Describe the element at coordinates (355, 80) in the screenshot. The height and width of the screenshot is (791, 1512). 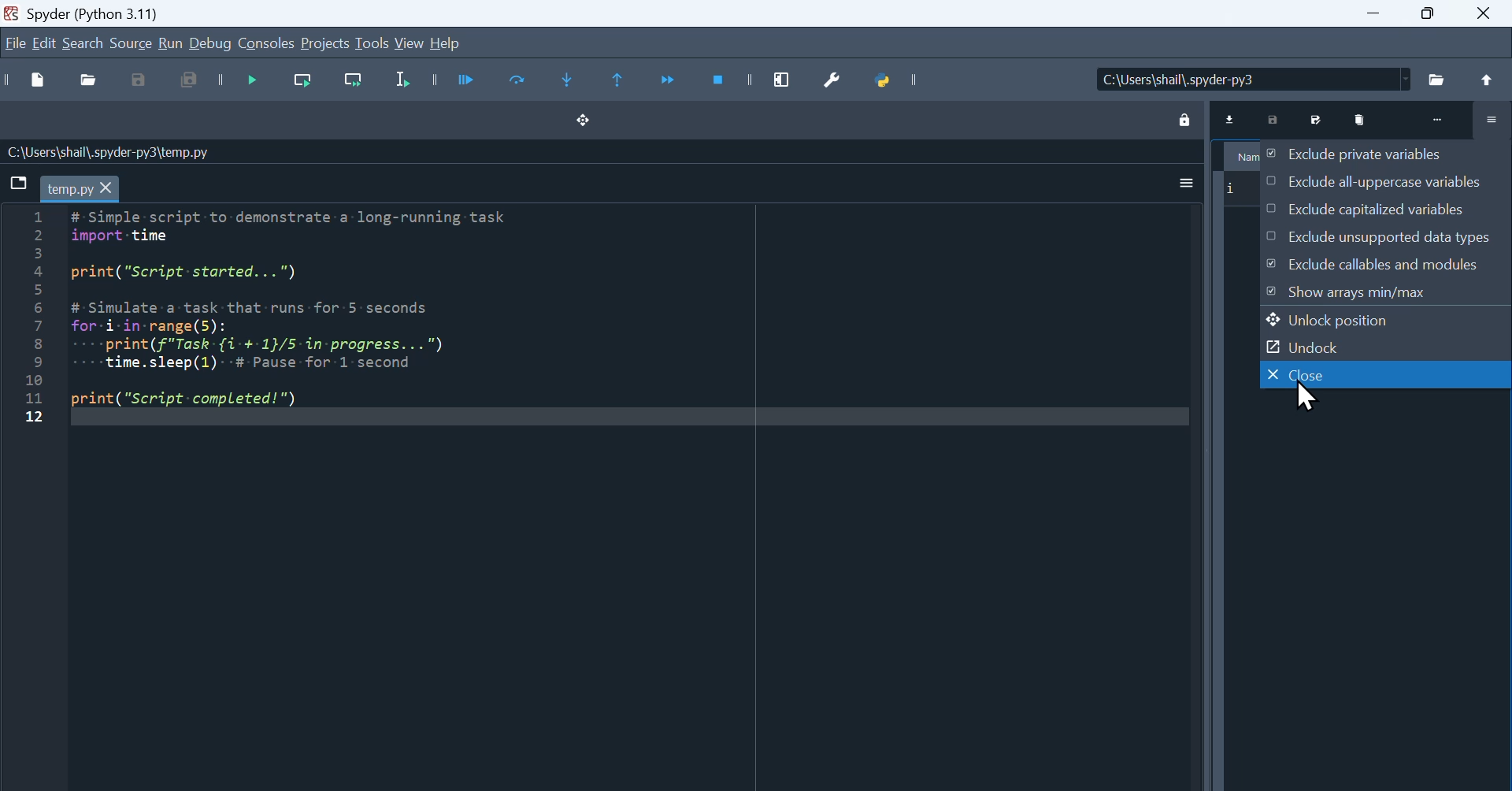
I see `Run current line and go to the next one` at that location.